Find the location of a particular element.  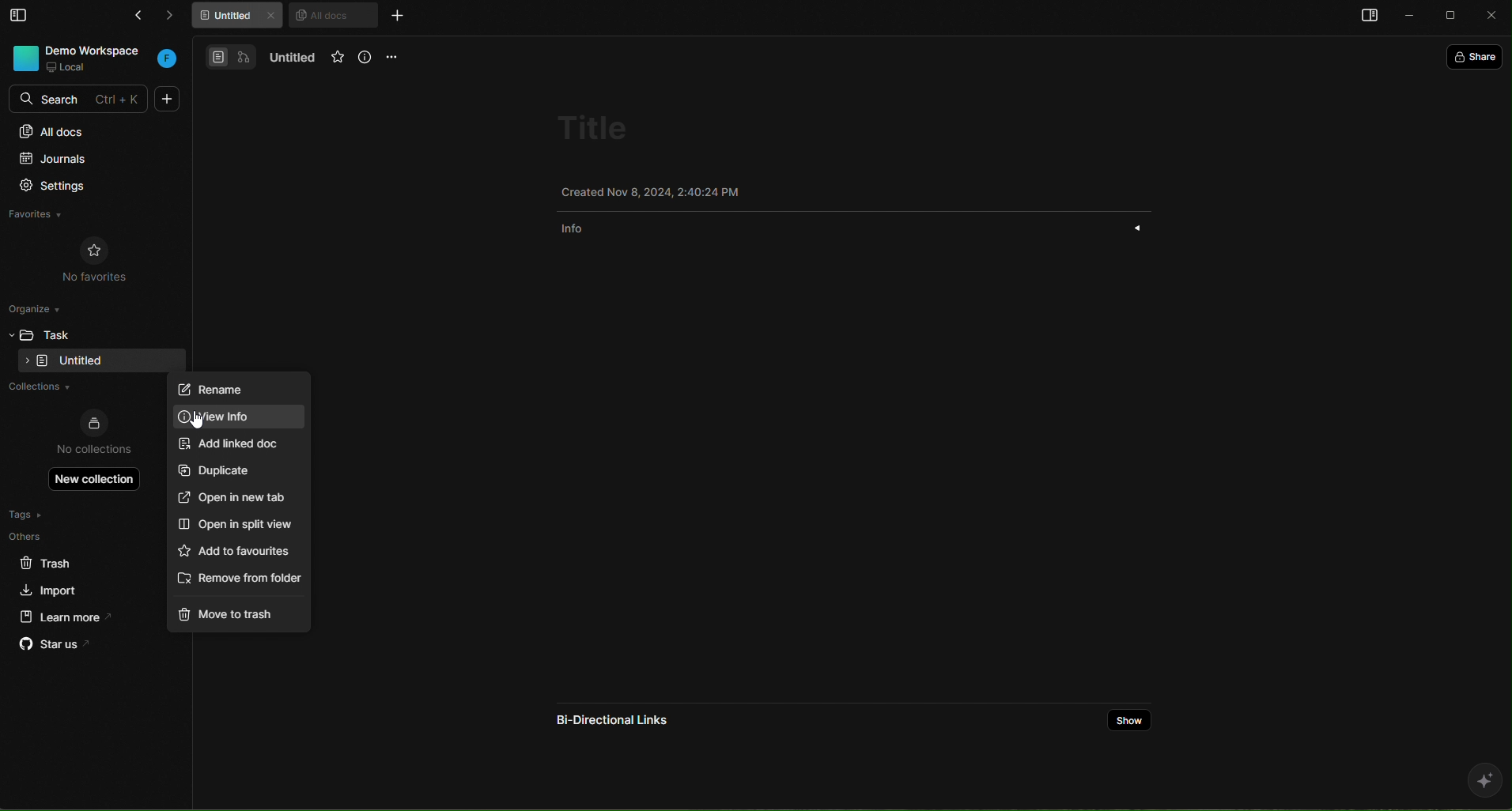

add linked doc is located at coordinates (231, 445).